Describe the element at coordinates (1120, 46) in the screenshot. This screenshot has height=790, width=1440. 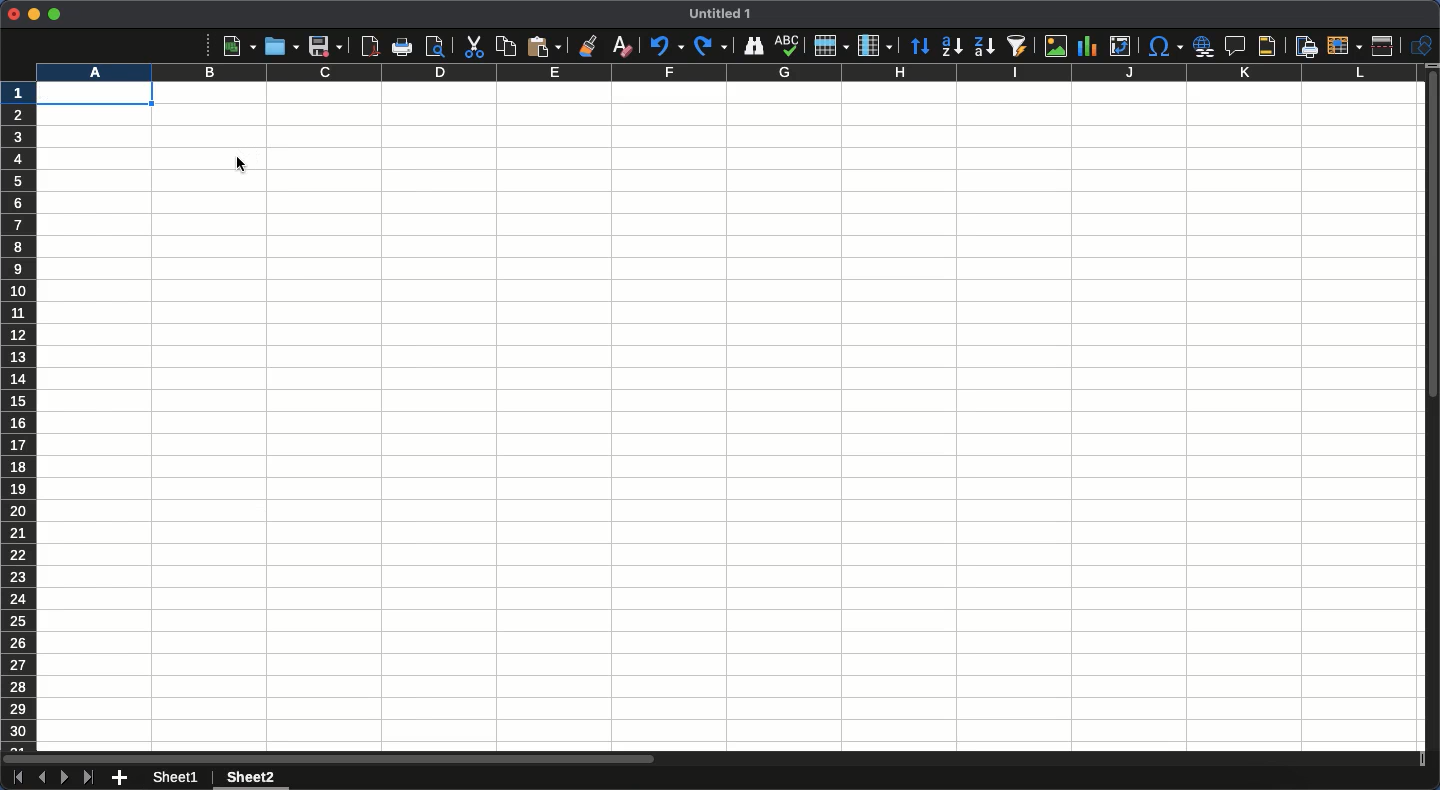
I see `Pivot table` at that location.